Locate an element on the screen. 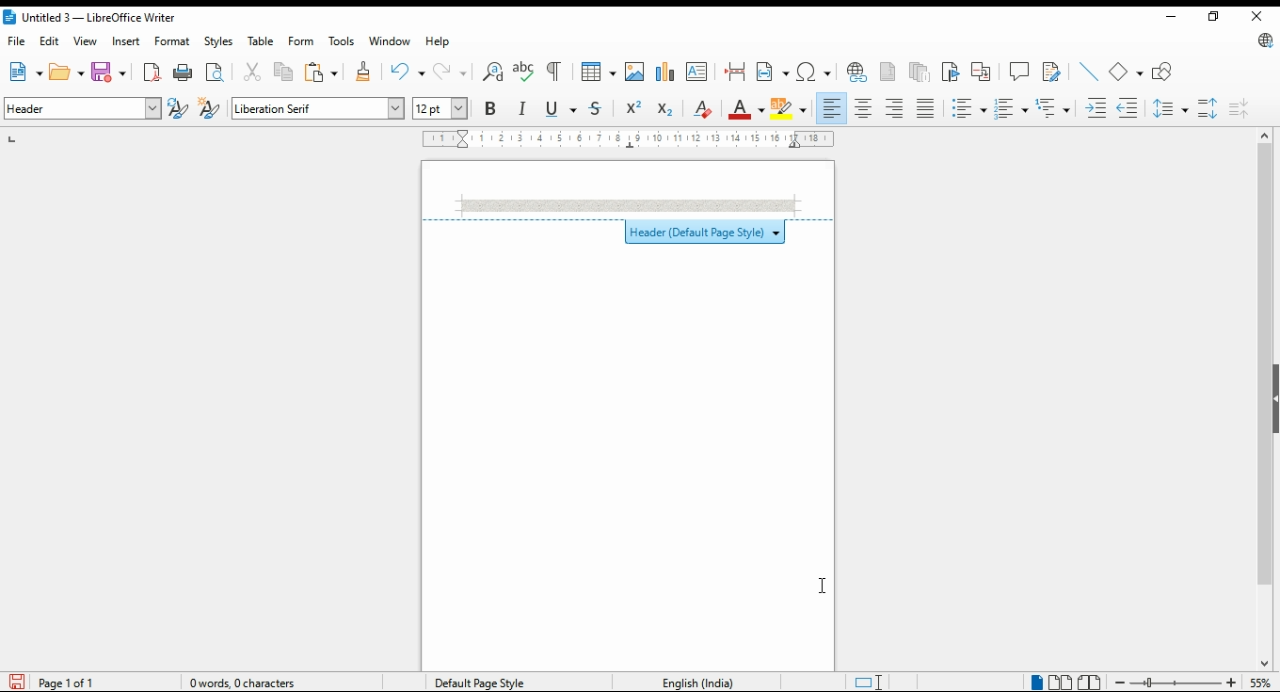 The height and width of the screenshot is (692, 1280). copy is located at coordinates (285, 73).